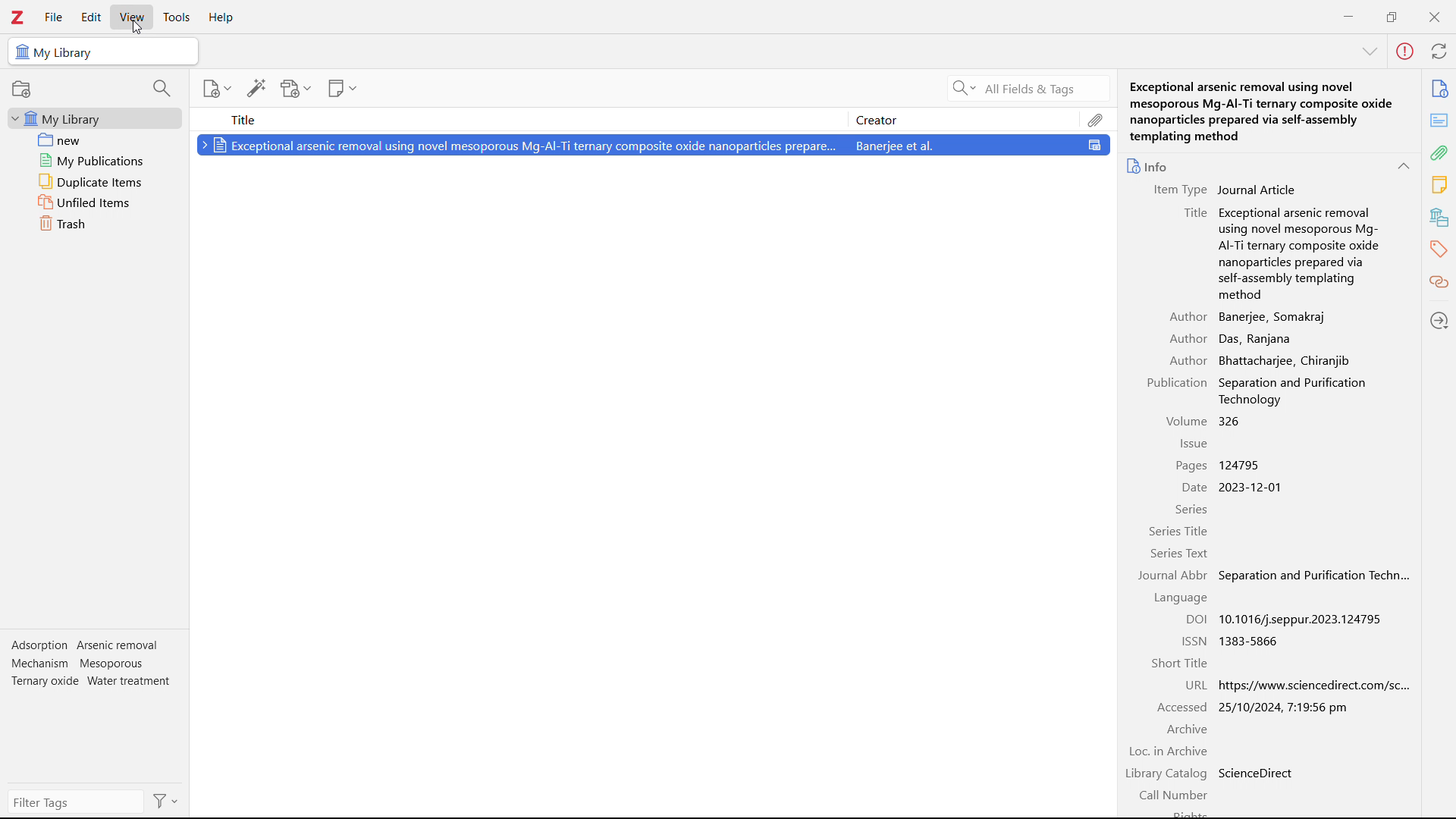 The height and width of the screenshot is (819, 1456). Describe the element at coordinates (1372, 52) in the screenshot. I see `collapse info` at that location.